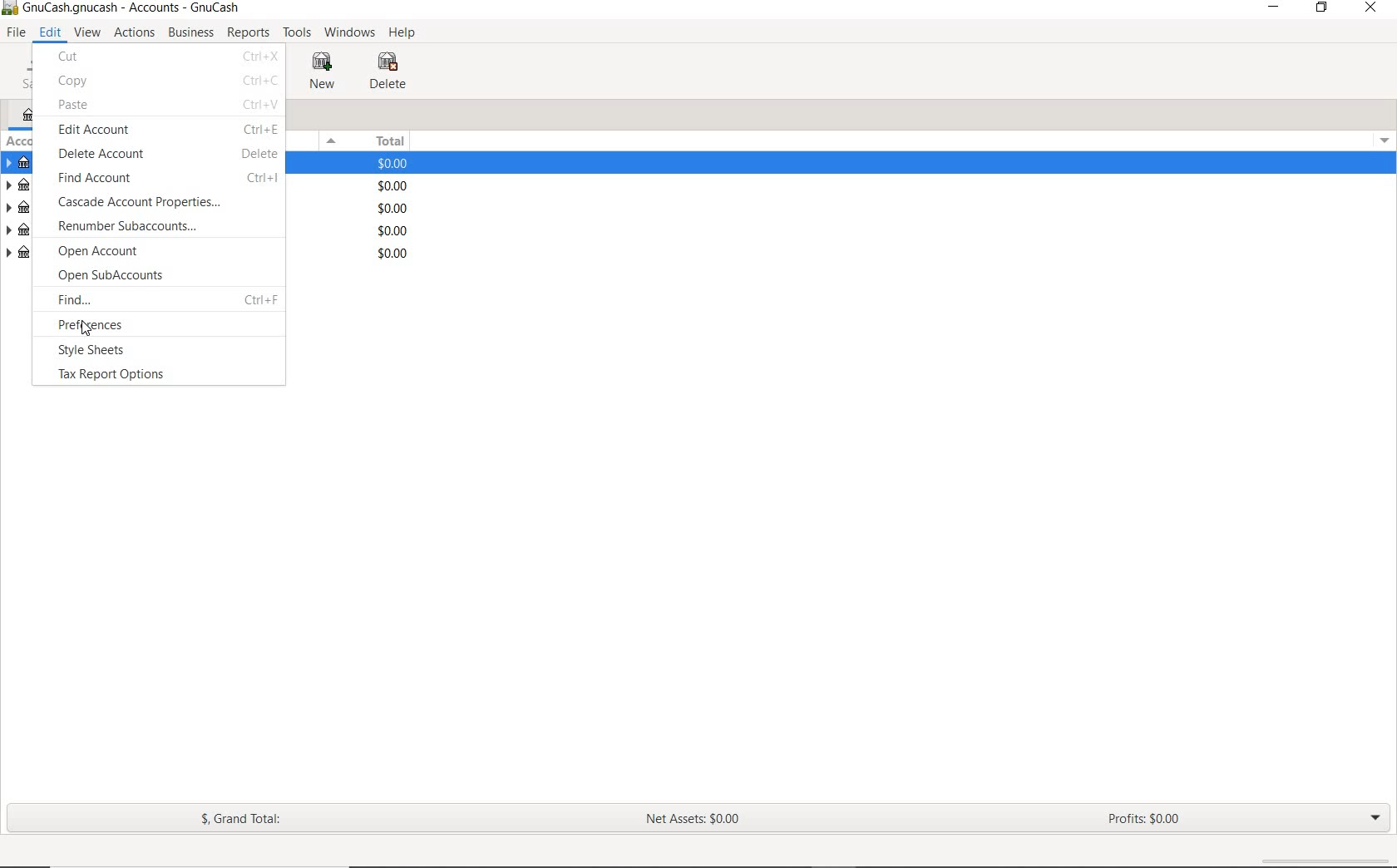 This screenshot has height=868, width=1397. I want to click on ACCOUNT NAME, so click(18, 141).